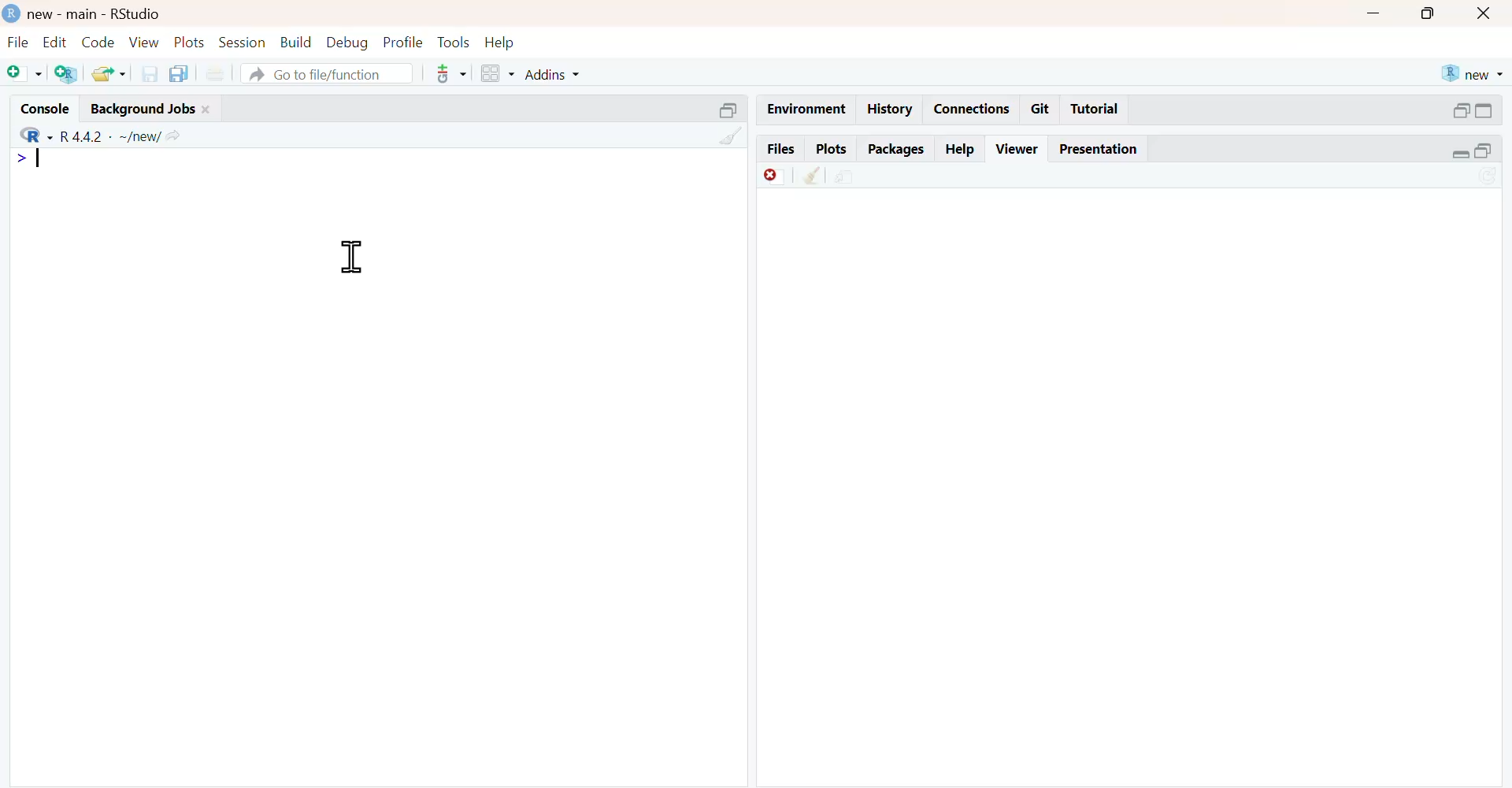 The width and height of the screenshot is (1512, 788). What do you see at coordinates (454, 43) in the screenshot?
I see `tools` at bounding box center [454, 43].